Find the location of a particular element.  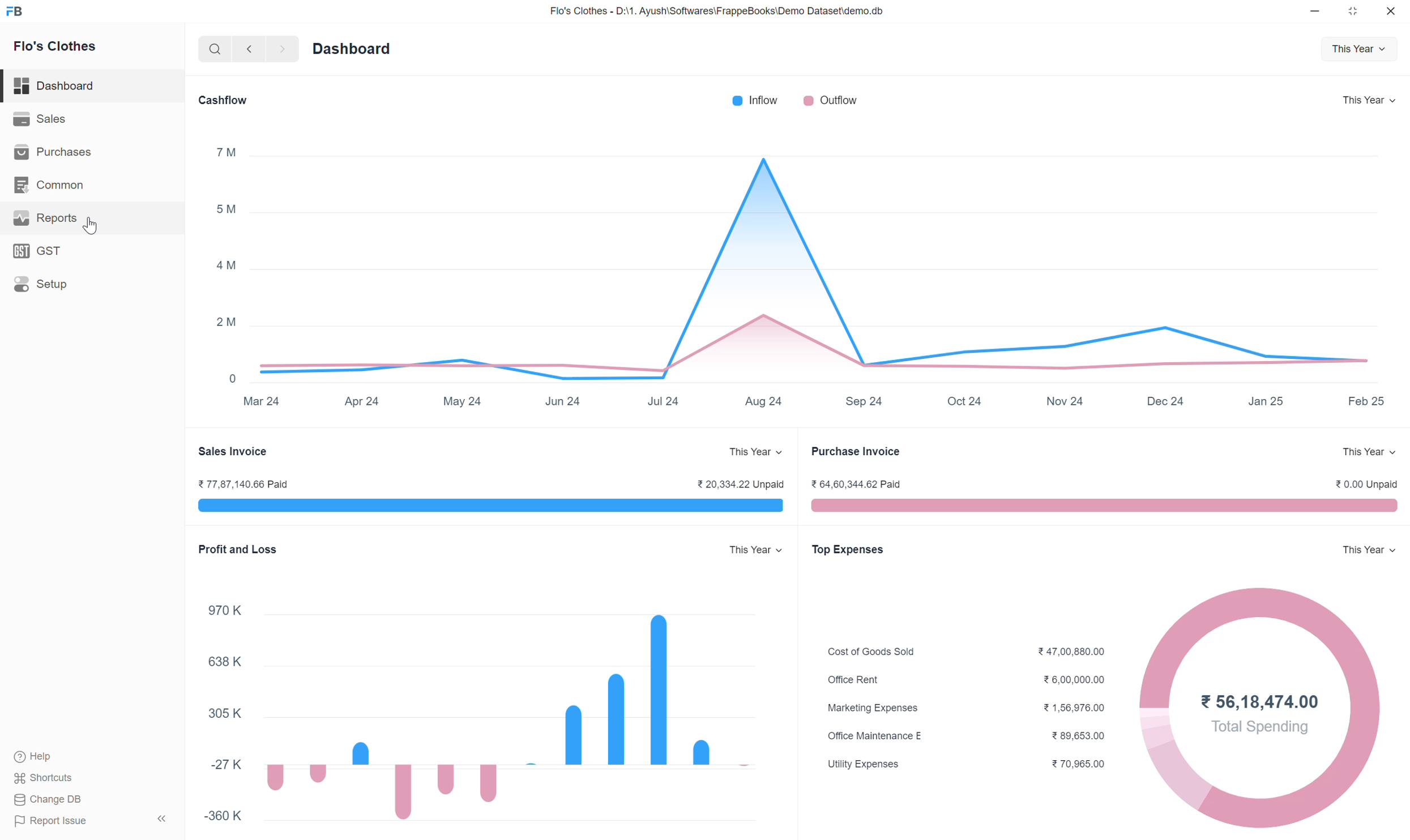

Cost of Goods Sold ¥47,00,880.00 is located at coordinates (965, 652).